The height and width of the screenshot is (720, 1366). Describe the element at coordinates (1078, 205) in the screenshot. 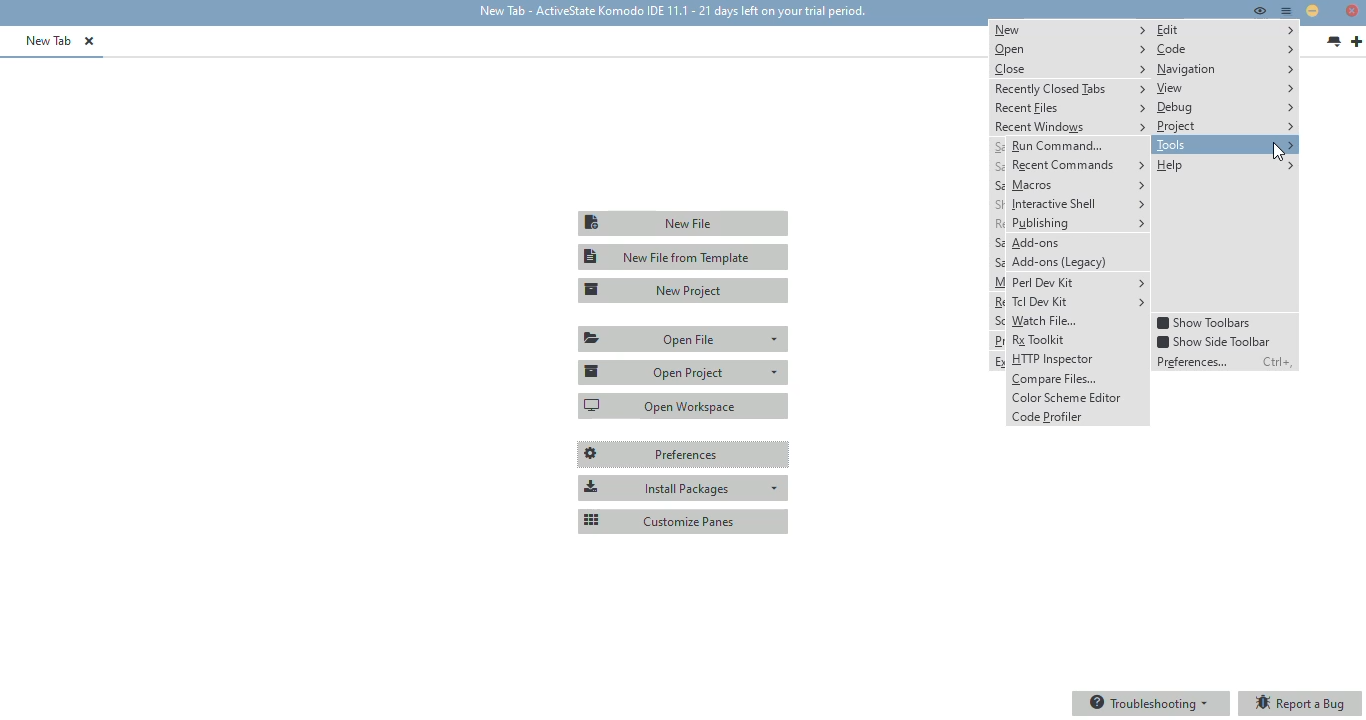

I see `Interactive shell` at that location.